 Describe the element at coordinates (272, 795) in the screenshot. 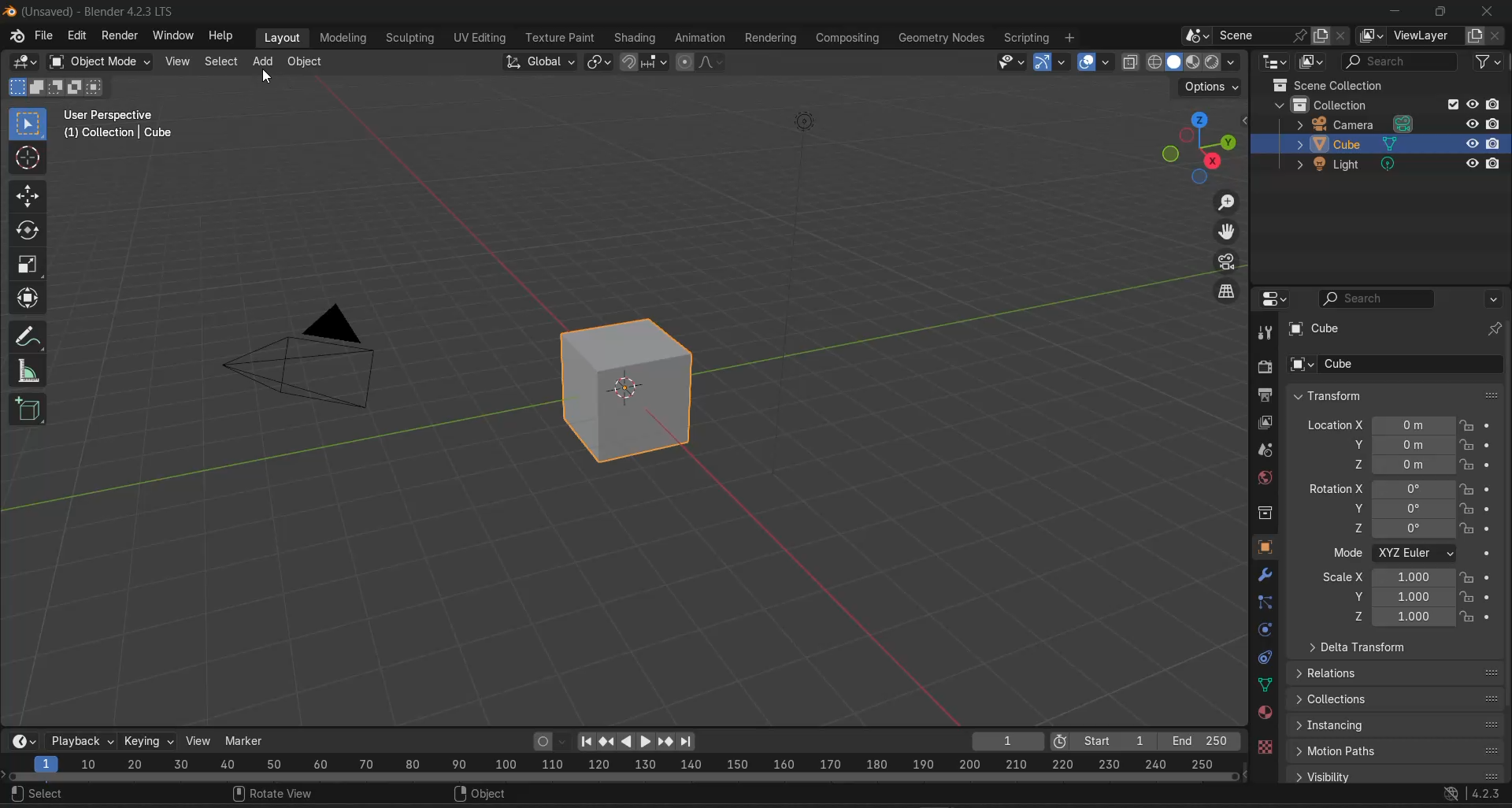

I see `rotate view` at that location.